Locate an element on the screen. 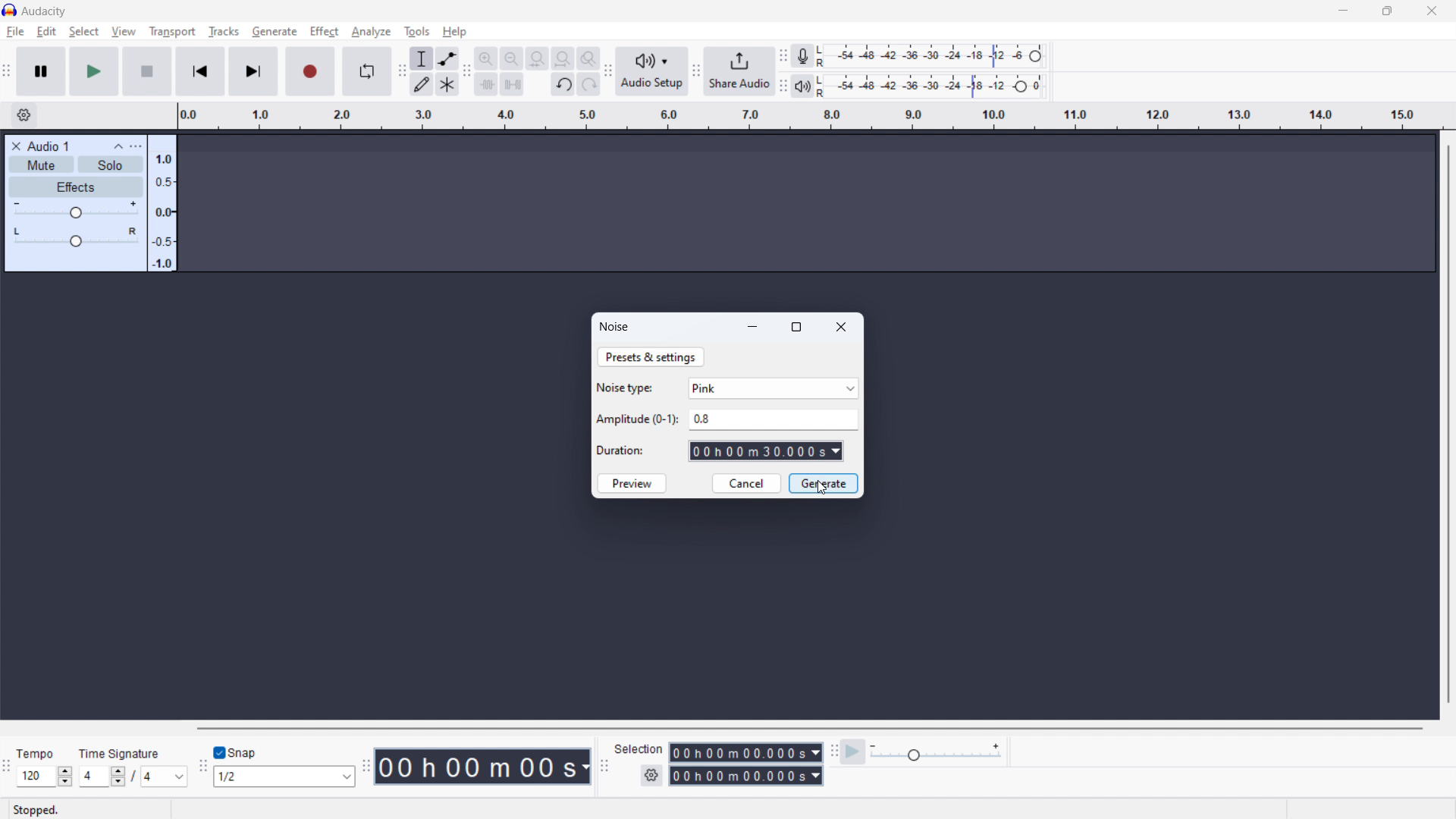 This screenshot has width=1456, height=819.  is located at coordinates (801, 55).